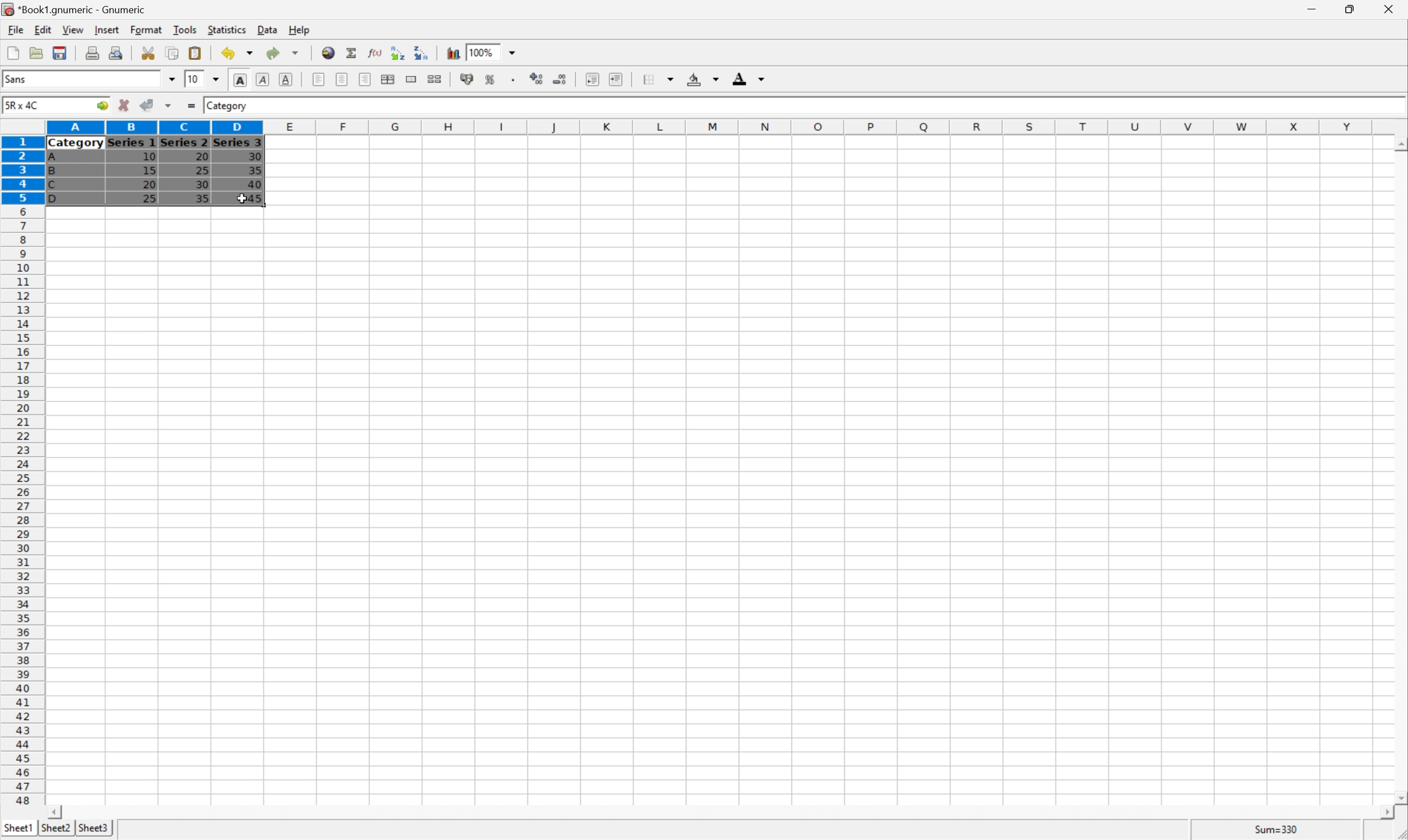  I want to click on Decrease indent, and align the contents to the left, so click(592, 79).